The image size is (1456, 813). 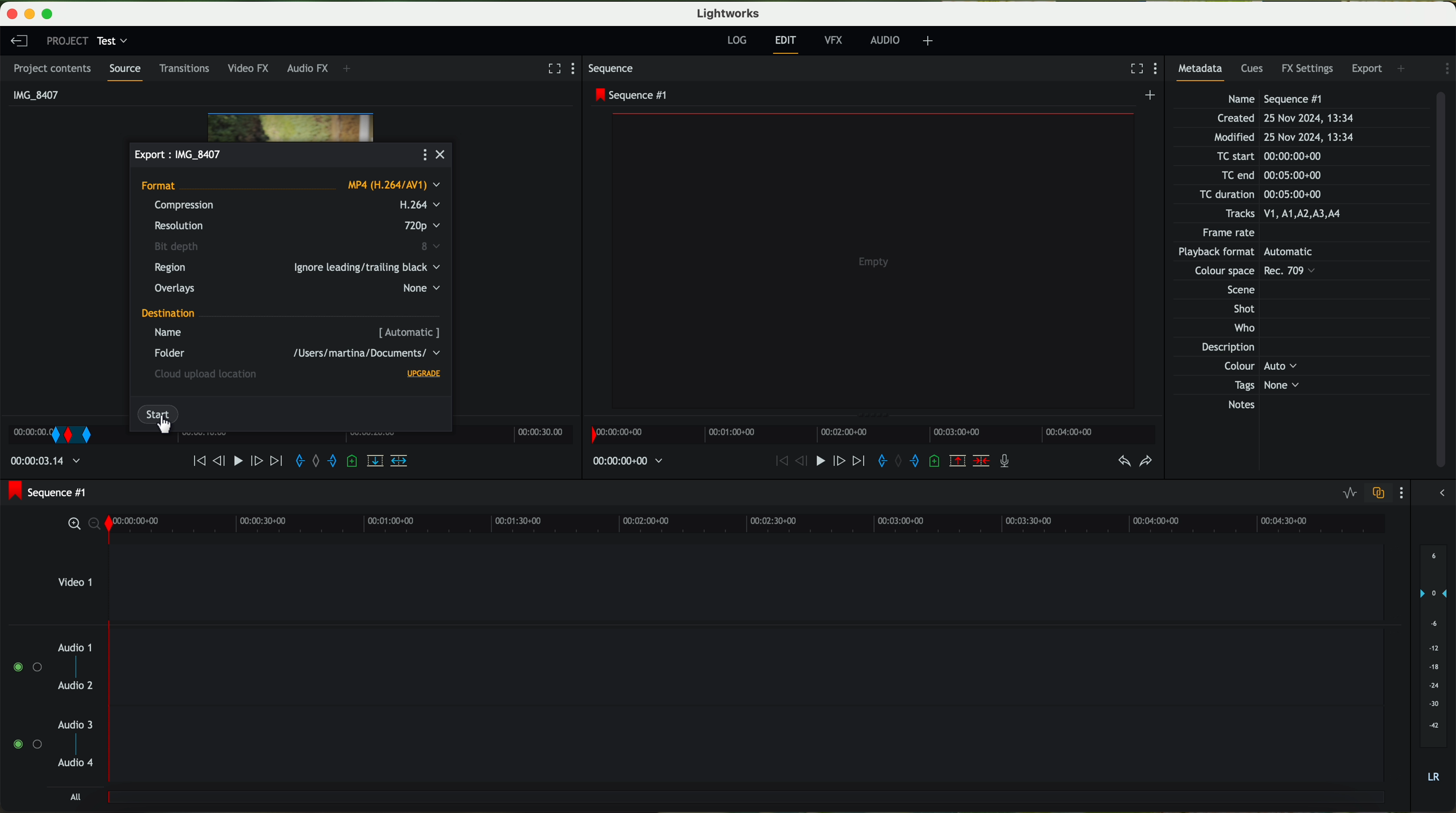 I want to click on Modified, so click(x=1282, y=138).